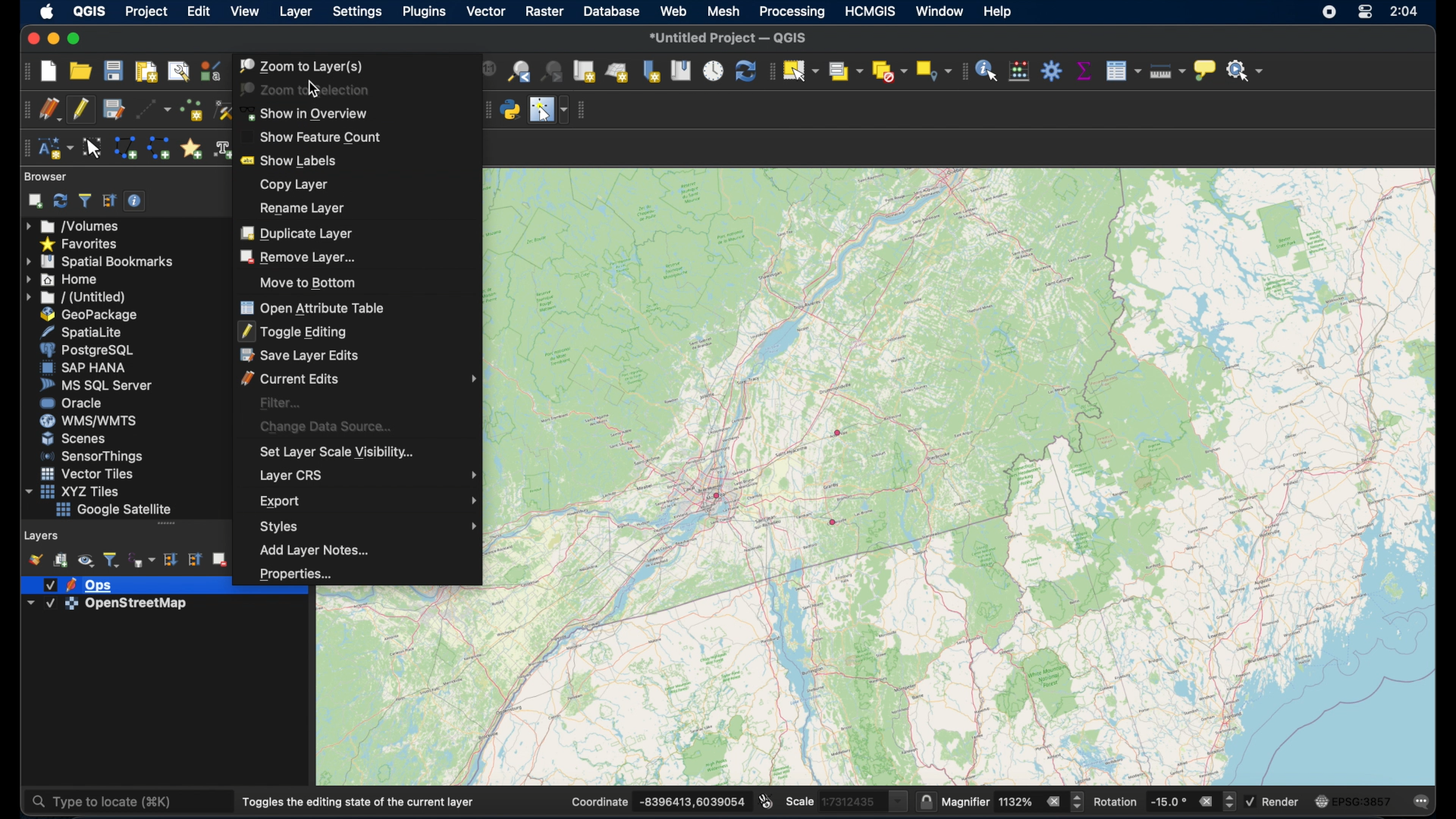 This screenshot has width=1456, height=819. Describe the element at coordinates (1332, 13) in the screenshot. I see `screen recorder icon` at that location.